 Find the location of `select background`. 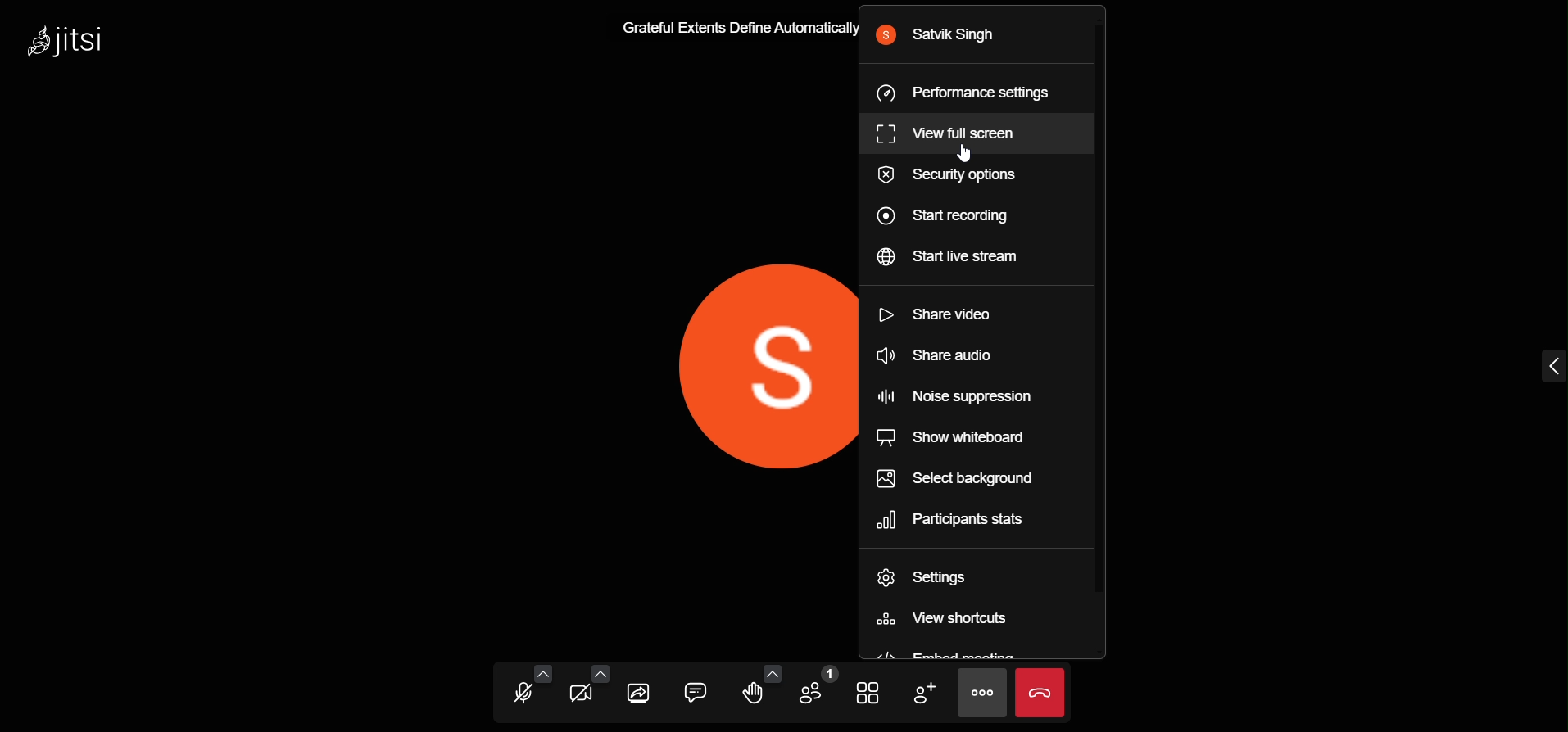

select background is located at coordinates (958, 480).